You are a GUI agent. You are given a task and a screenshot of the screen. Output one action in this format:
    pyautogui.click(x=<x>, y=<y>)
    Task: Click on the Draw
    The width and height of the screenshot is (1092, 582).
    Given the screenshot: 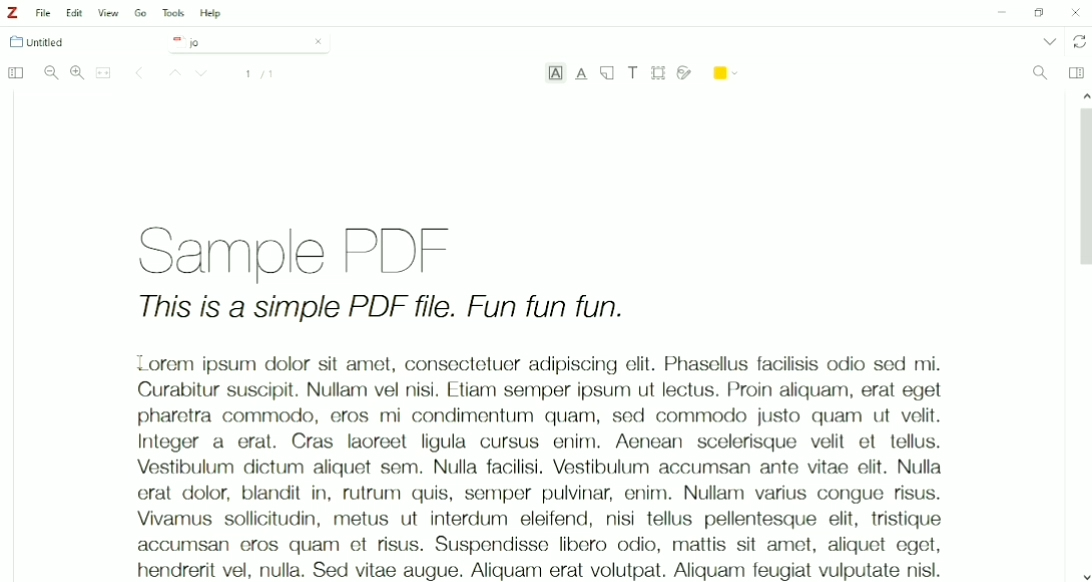 What is the action you would take?
    pyautogui.click(x=685, y=71)
    